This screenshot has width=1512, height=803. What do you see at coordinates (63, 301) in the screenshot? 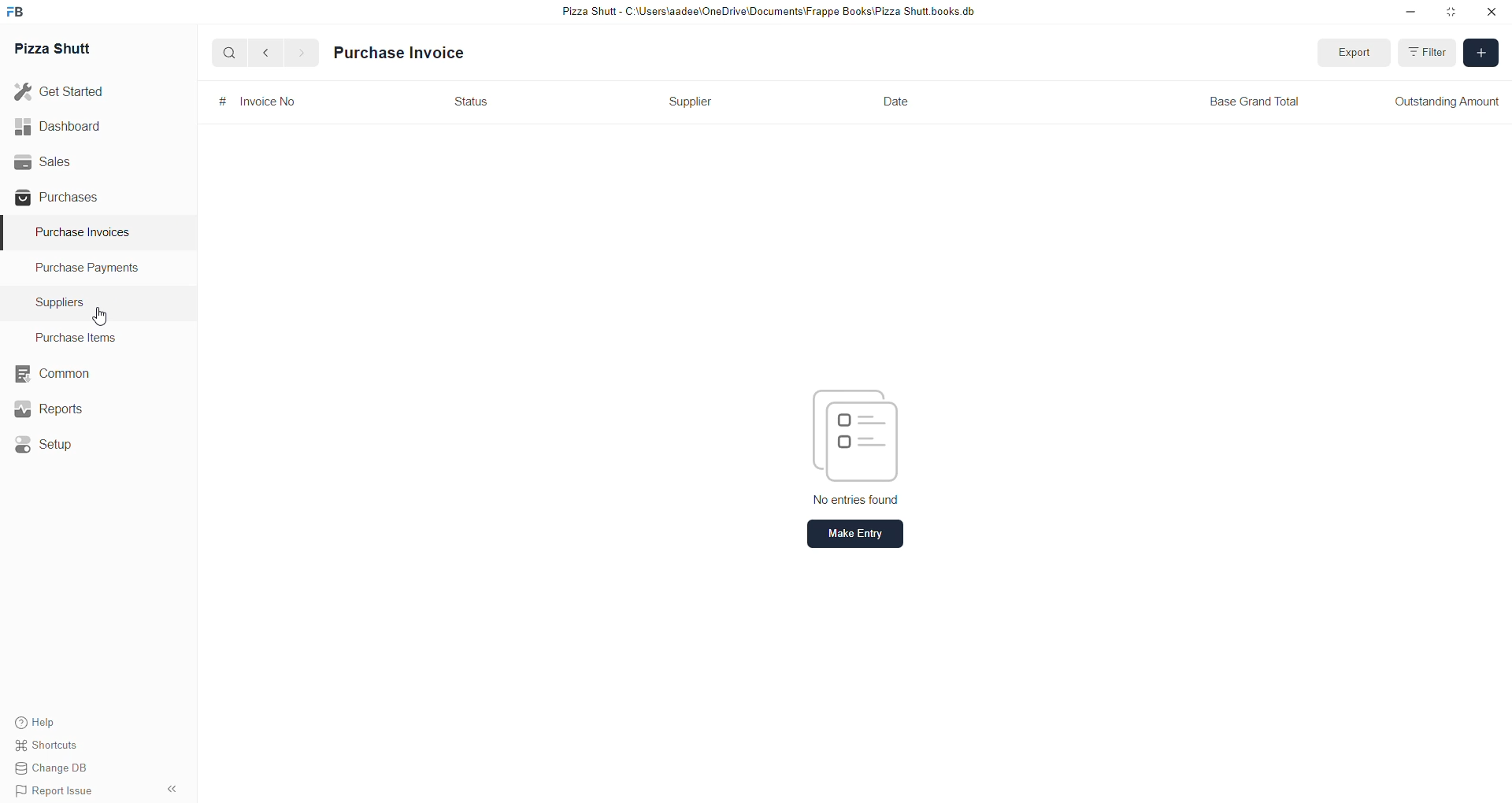
I see `Suppliers` at bounding box center [63, 301].